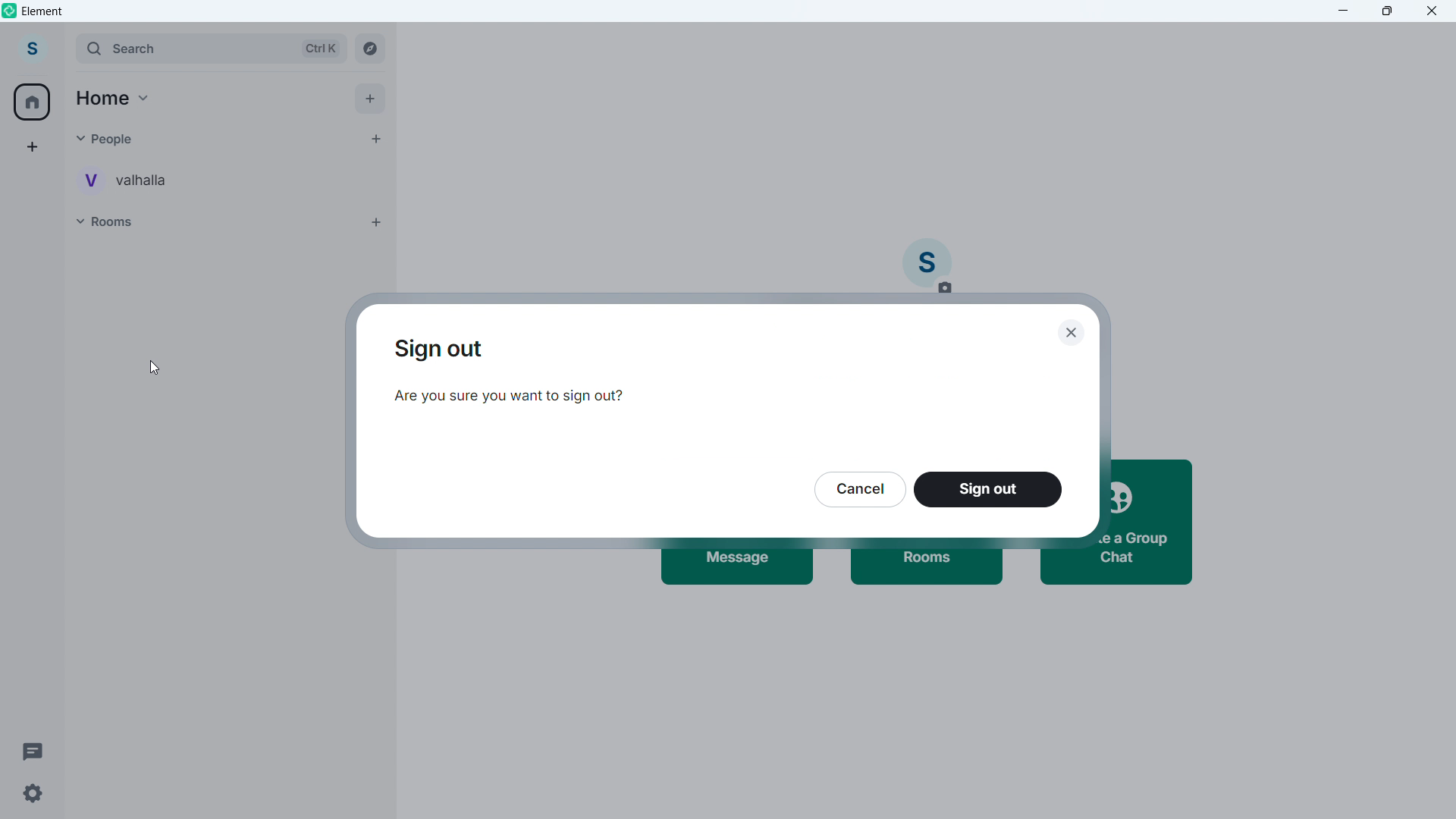 The image size is (1456, 819). Describe the element at coordinates (373, 137) in the screenshot. I see `Start chat ` at that location.